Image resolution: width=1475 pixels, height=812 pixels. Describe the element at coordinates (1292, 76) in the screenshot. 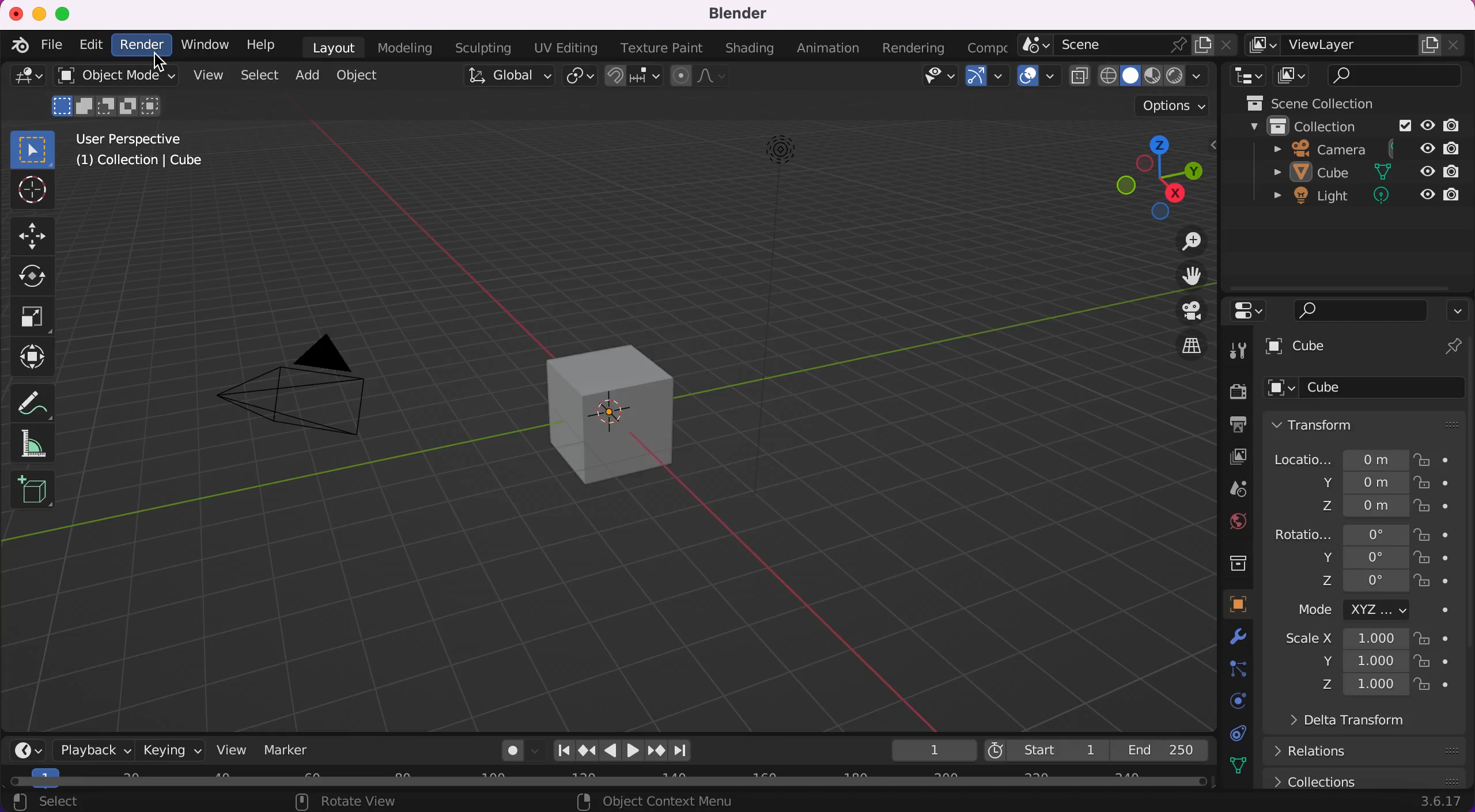

I see `display mode` at that location.